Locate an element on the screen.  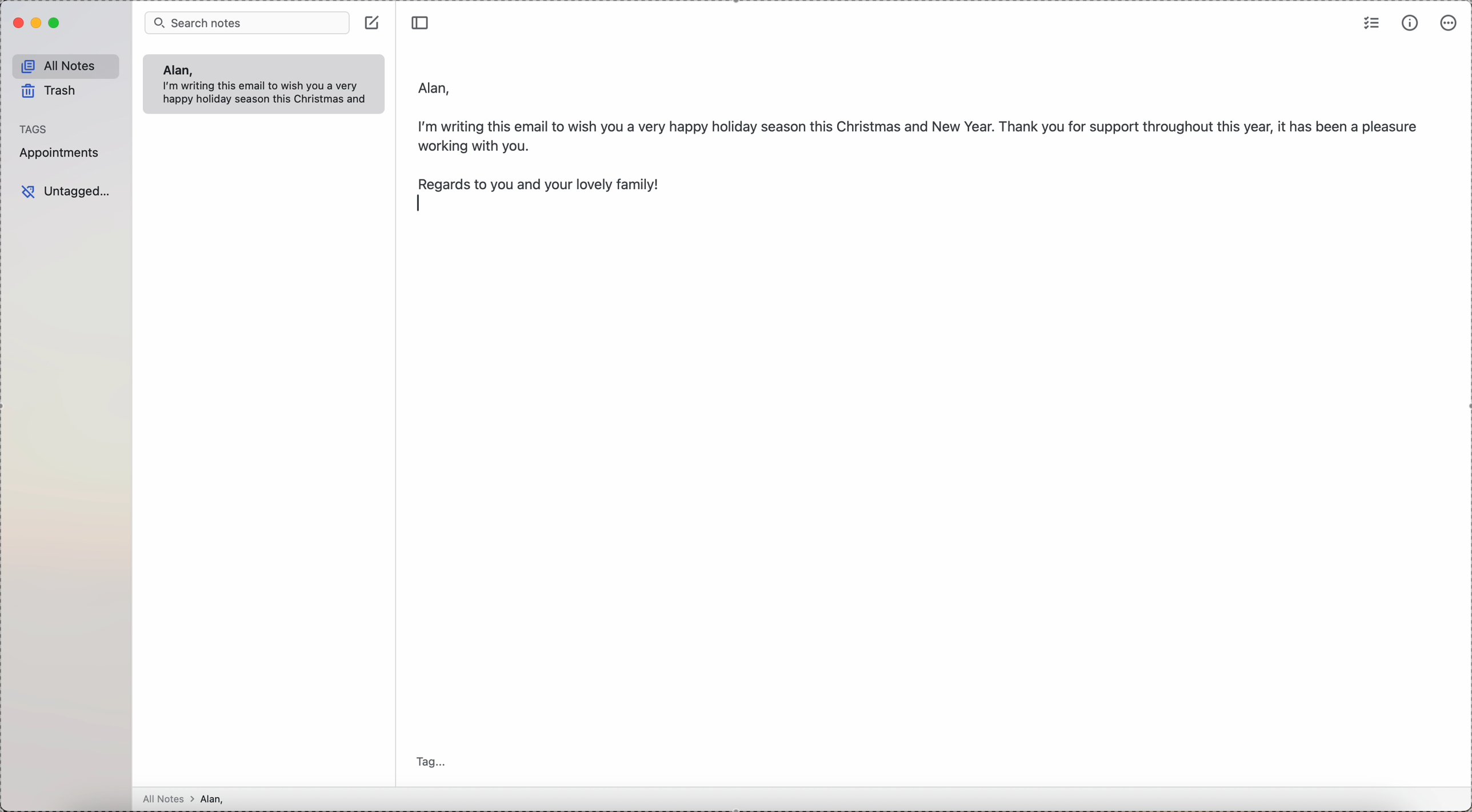
maximize is located at coordinates (56, 23).